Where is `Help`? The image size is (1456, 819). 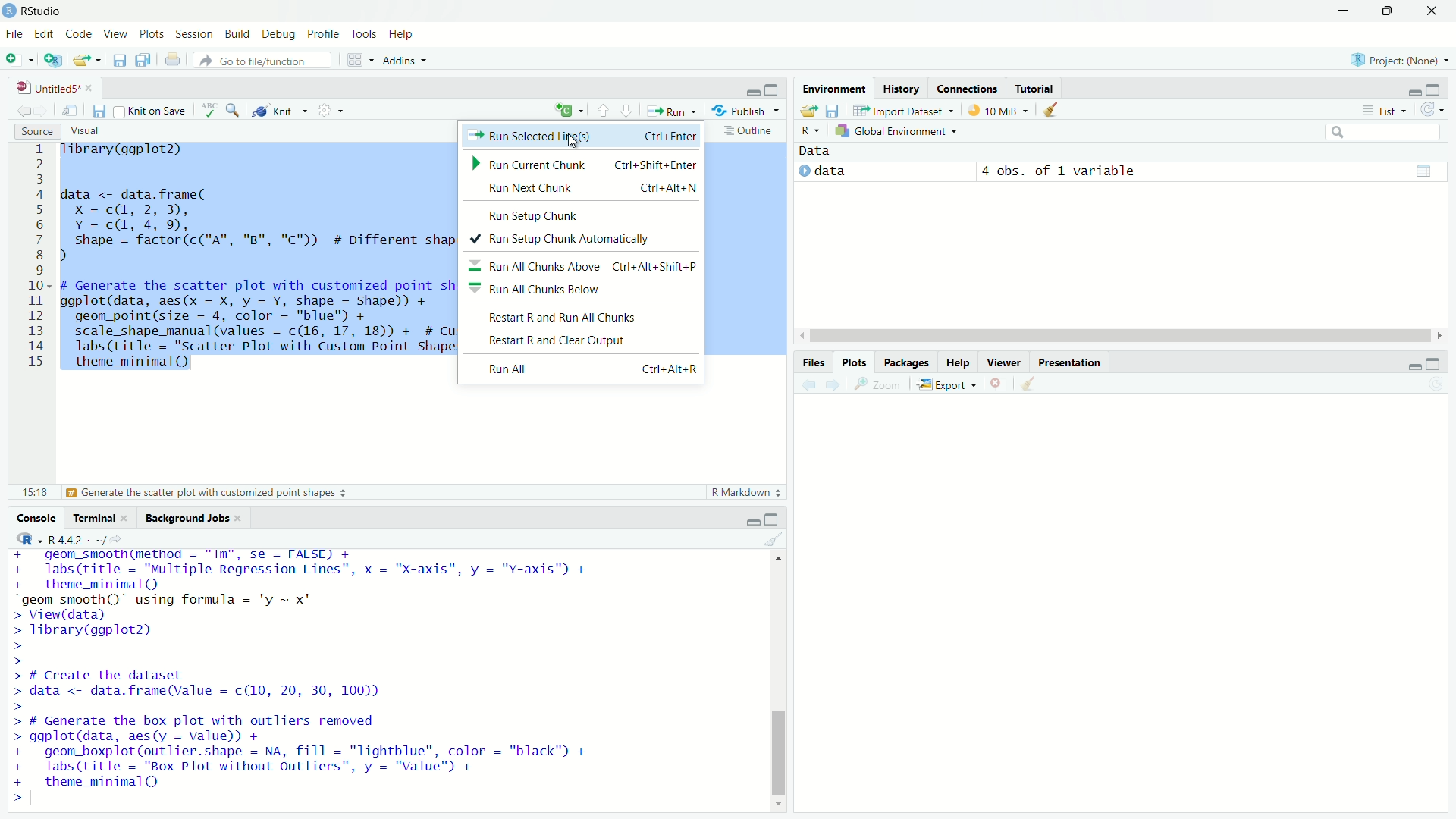
Help is located at coordinates (401, 33).